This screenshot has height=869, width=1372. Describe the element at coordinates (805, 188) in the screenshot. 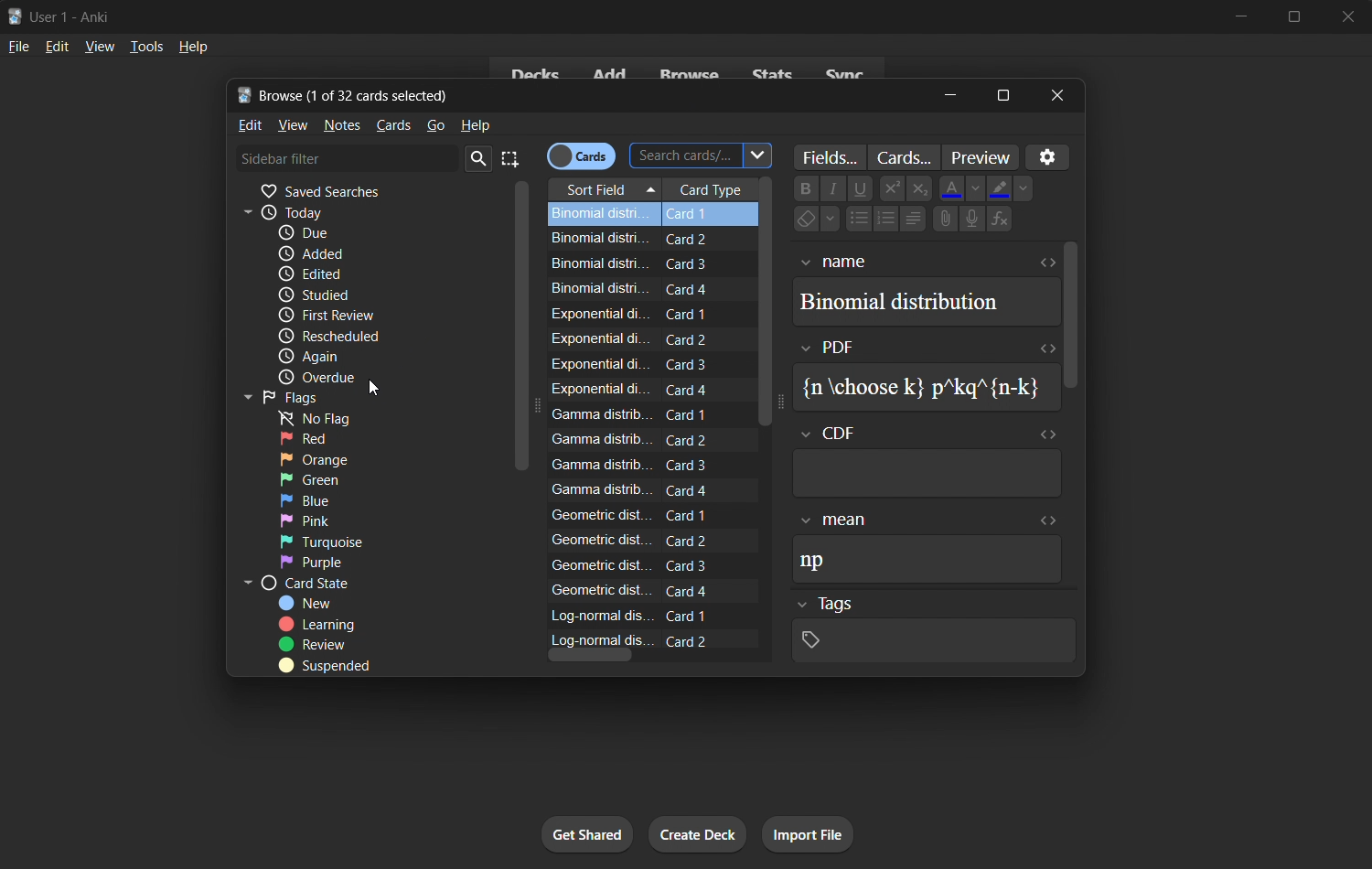

I see `Bold` at that location.